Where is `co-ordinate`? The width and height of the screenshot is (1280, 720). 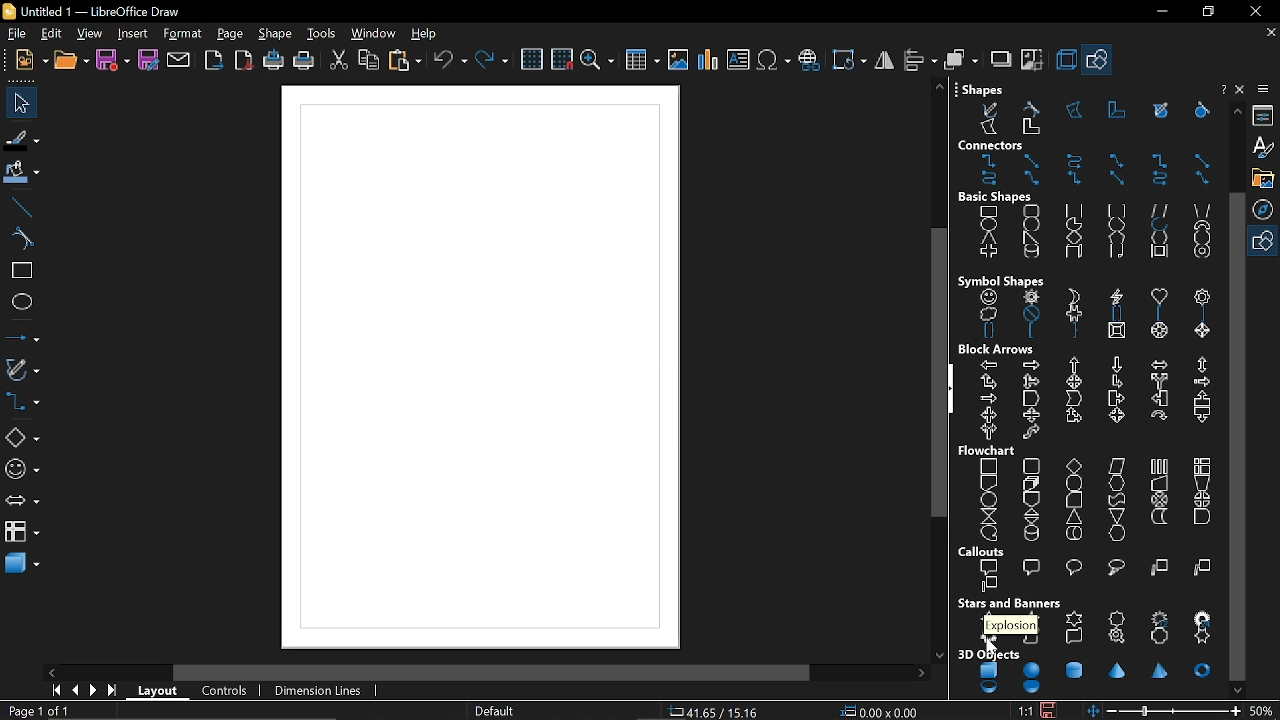 co-ordinate is located at coordinates (715, 712).